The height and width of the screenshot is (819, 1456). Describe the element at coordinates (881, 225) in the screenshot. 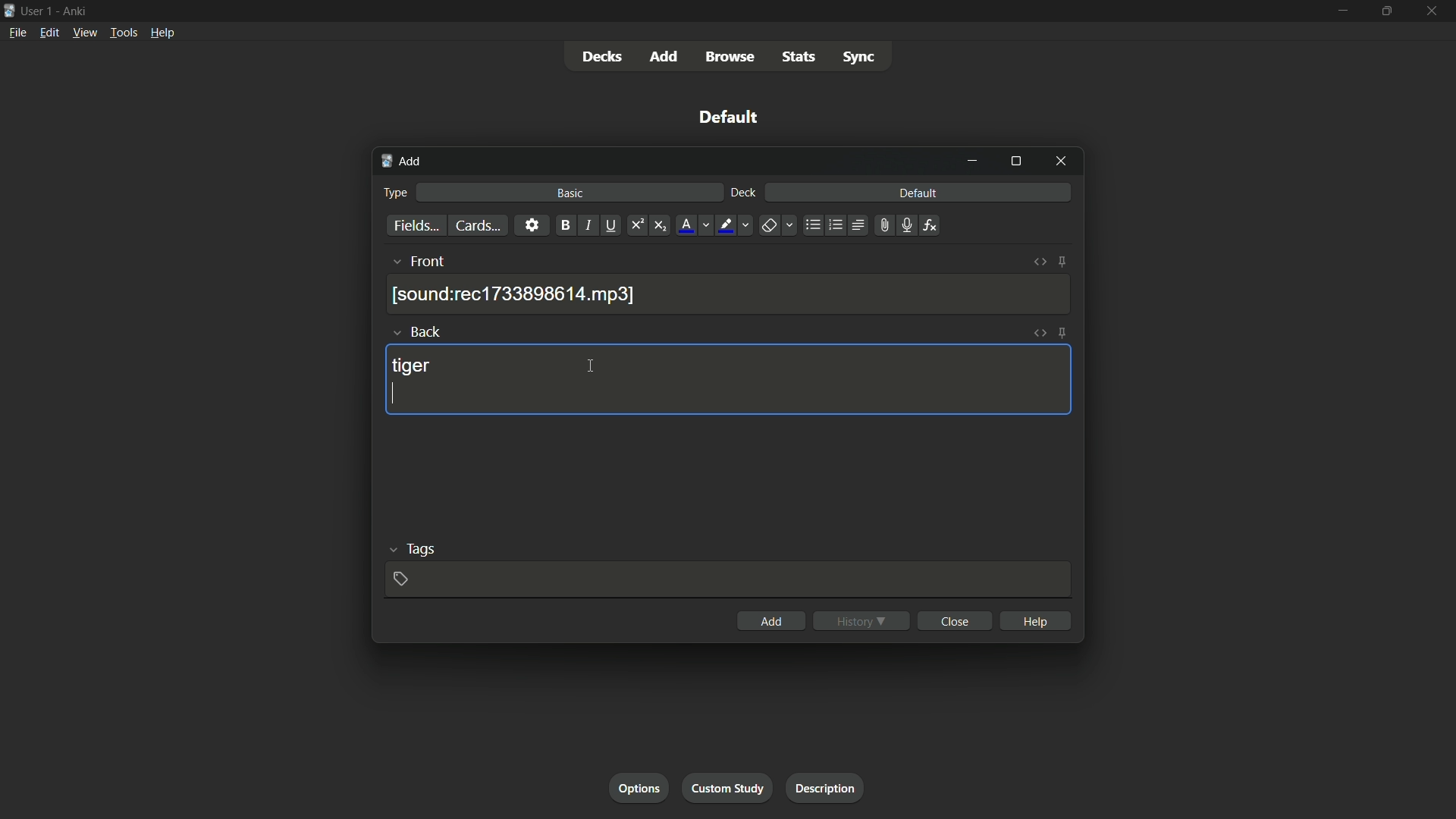

I see `attach` at that location.